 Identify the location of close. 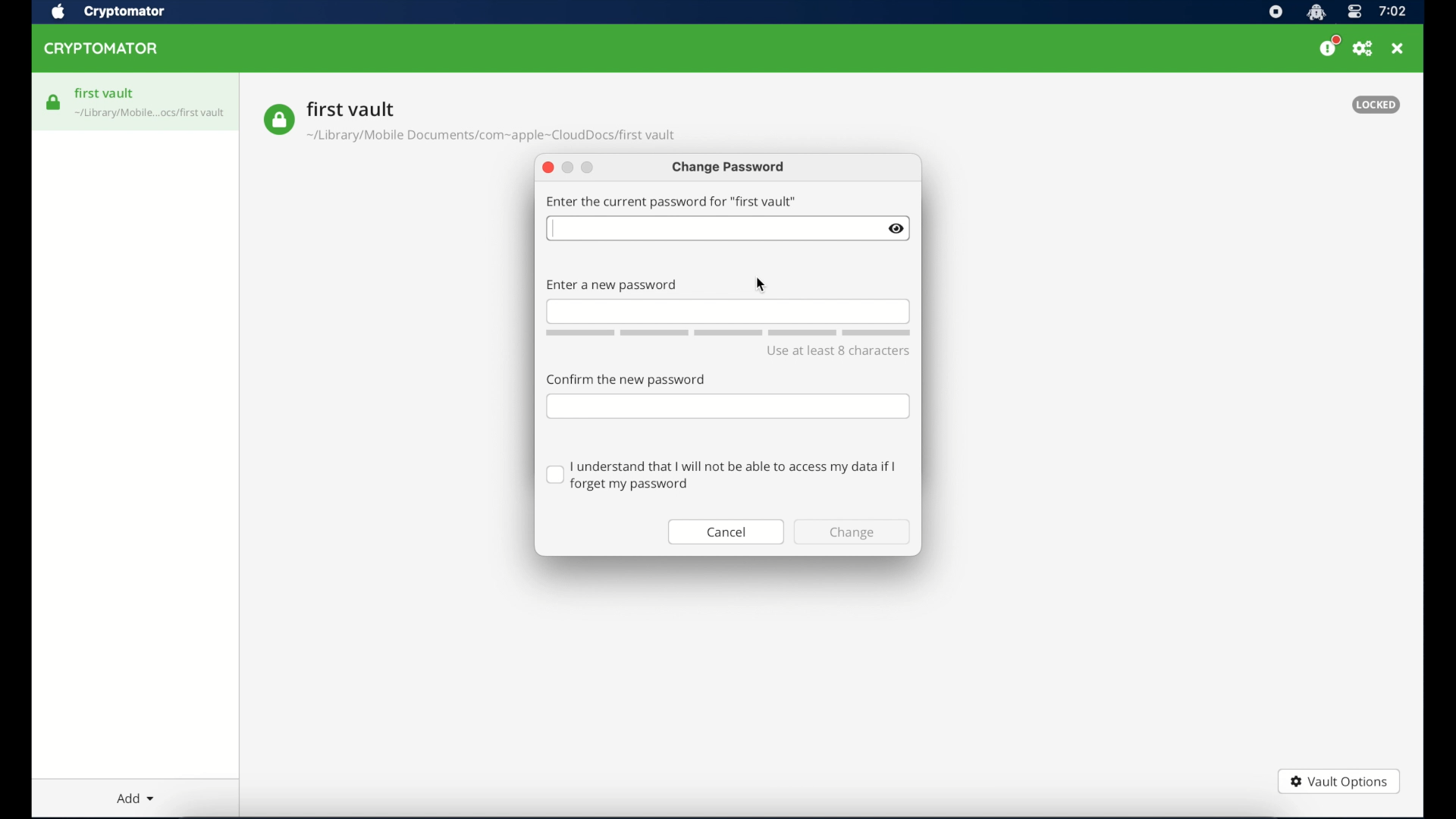
(1398, 49).